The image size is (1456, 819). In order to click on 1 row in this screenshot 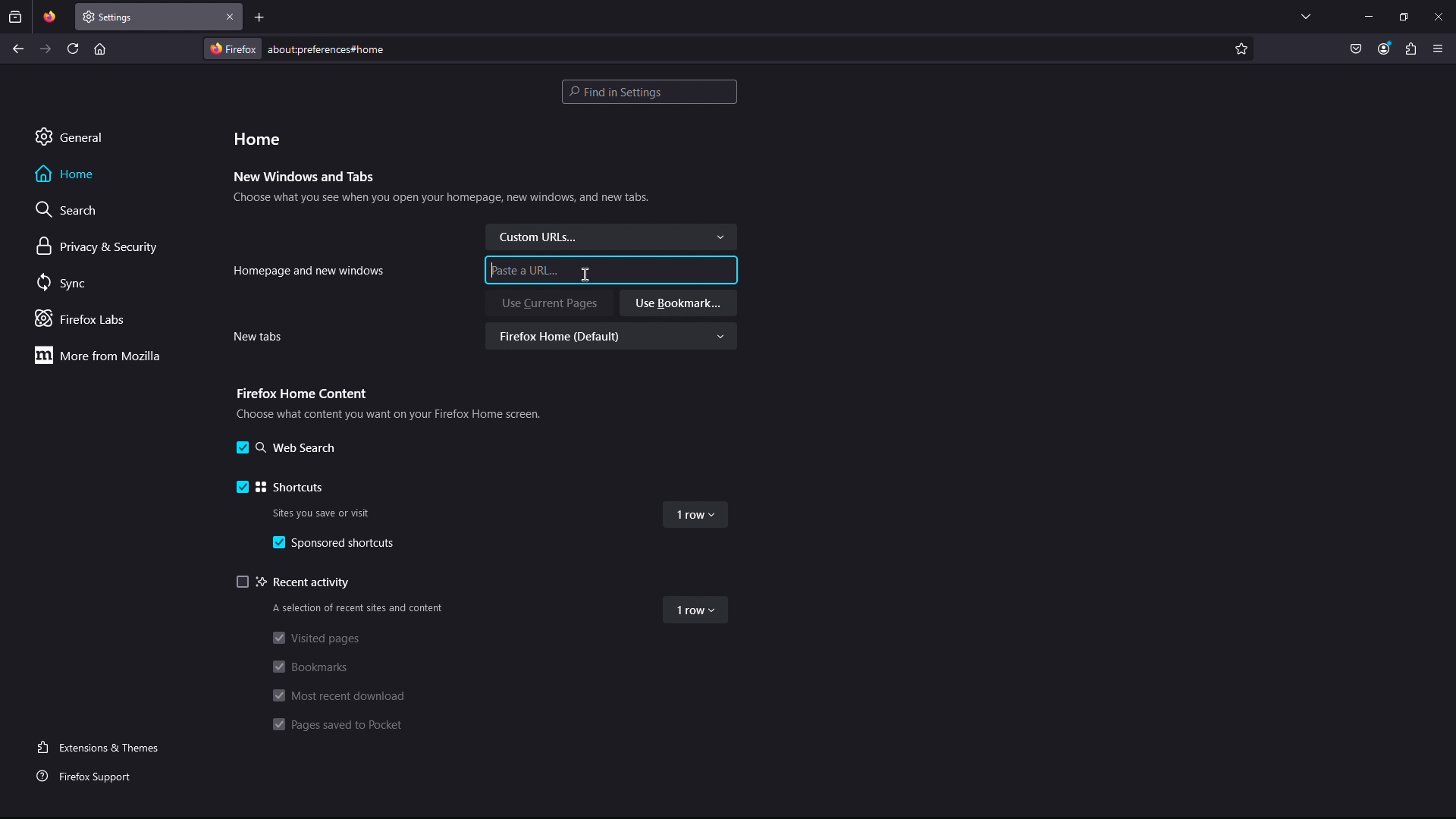, I will do `click(698, 518)`.